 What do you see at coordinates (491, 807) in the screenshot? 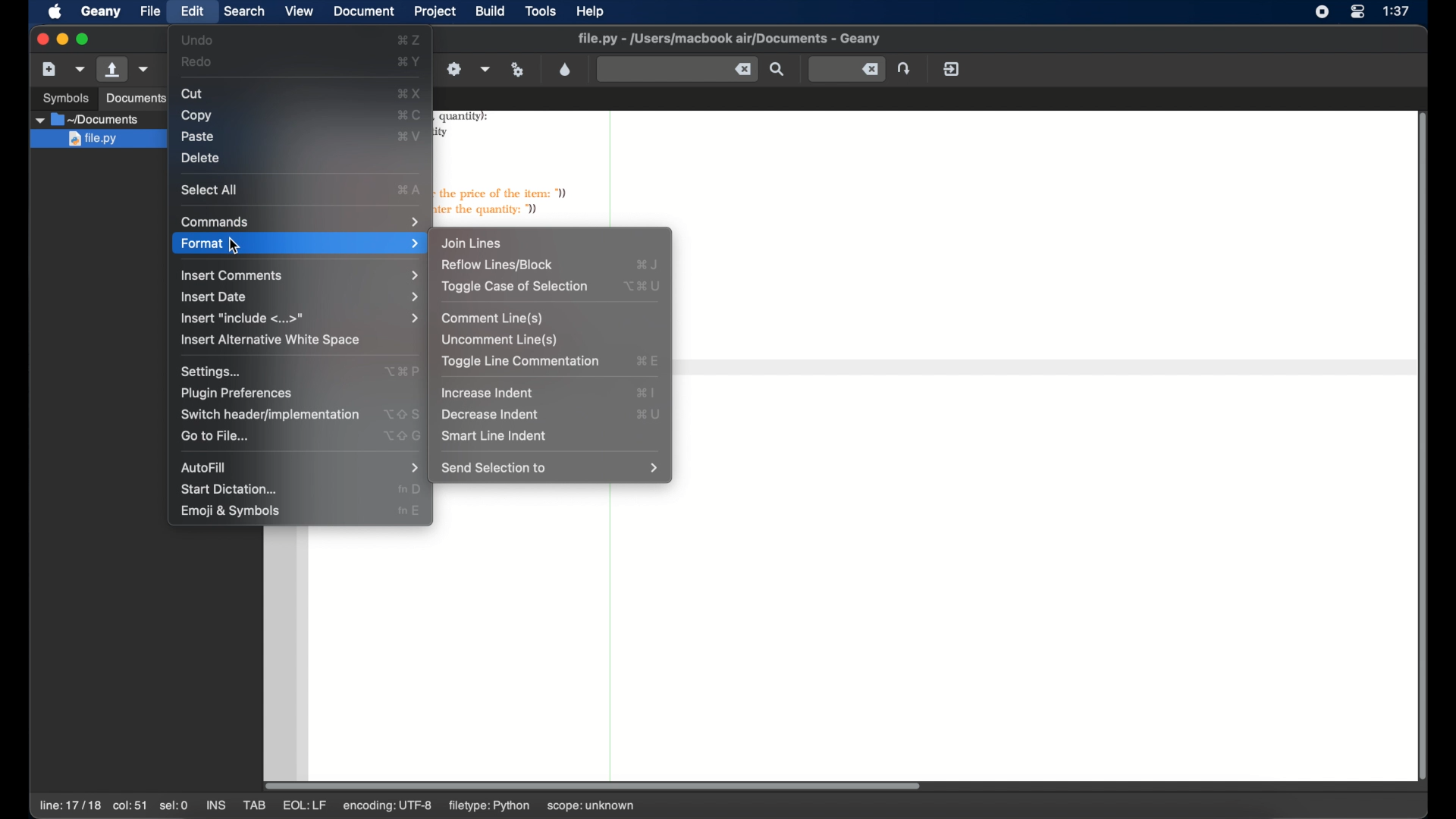
I see `filetype: python` at bounding box center [491, 807].